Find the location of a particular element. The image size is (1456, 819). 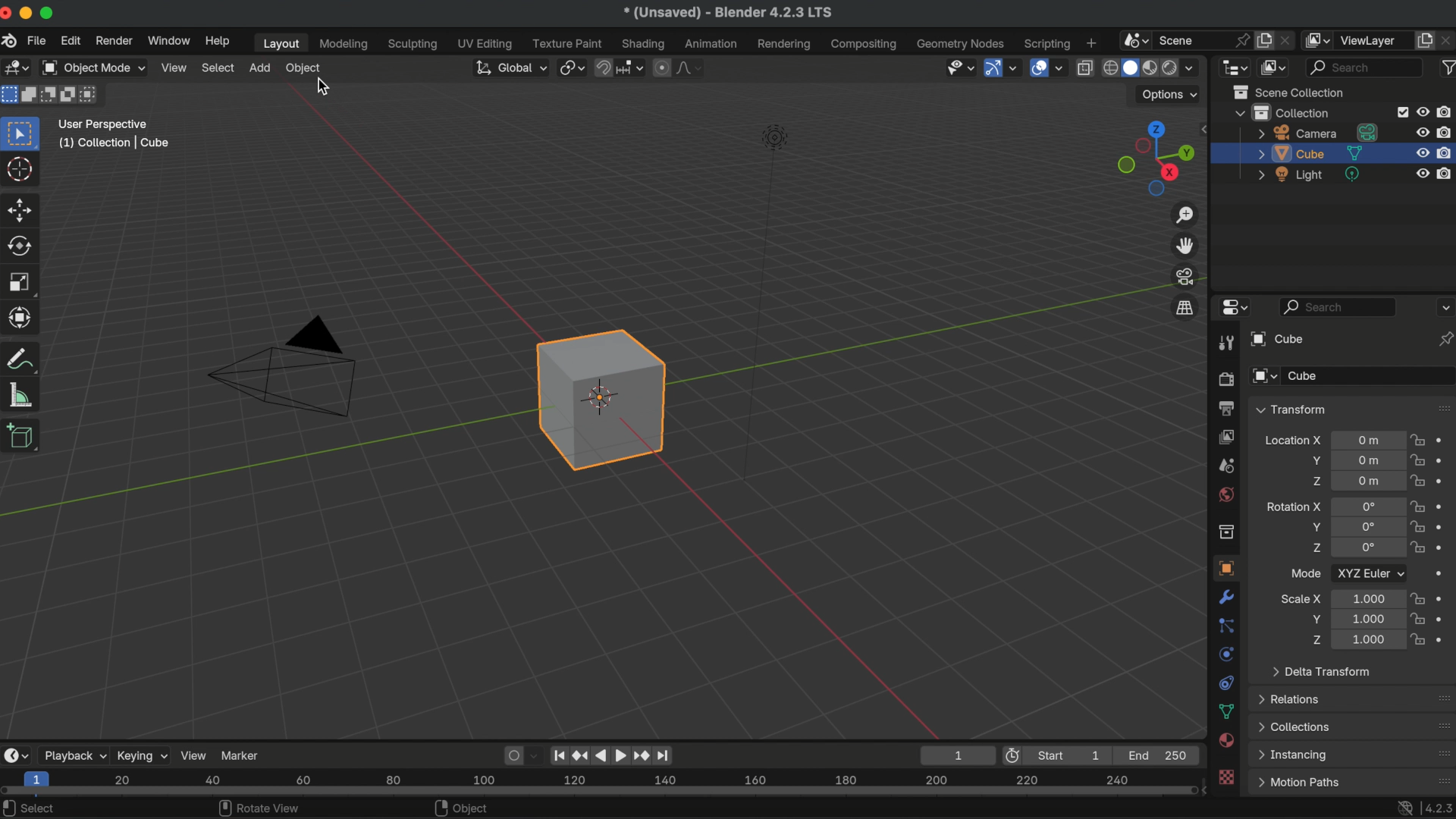

disable in render is located at coordinates (1446, 152).